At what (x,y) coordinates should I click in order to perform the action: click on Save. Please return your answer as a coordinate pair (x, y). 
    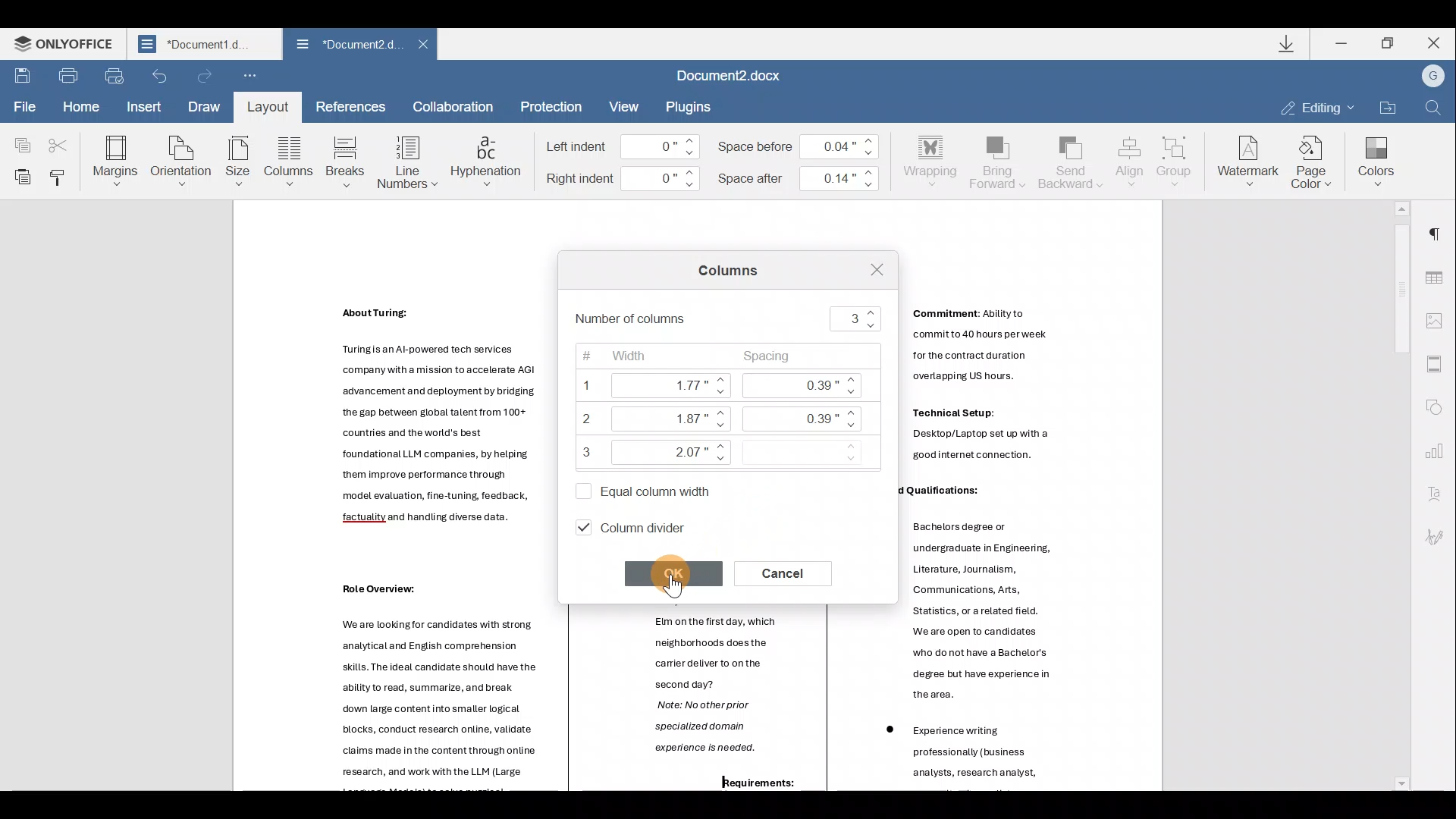
    Looking at the image, I should click on (20, 77).